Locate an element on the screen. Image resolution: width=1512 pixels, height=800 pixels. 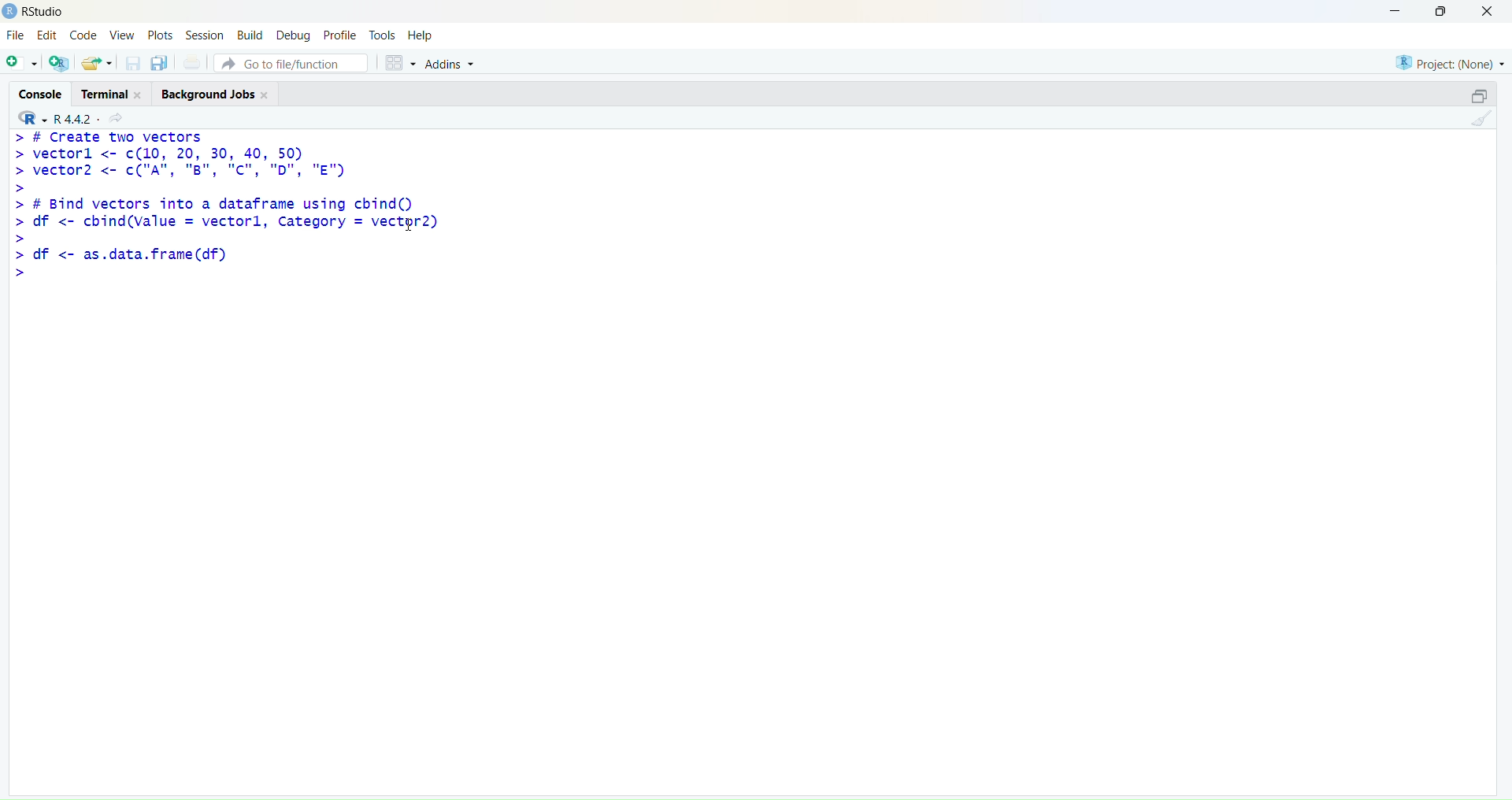
 R 4.4.2 is located at coordinates (53, 119).